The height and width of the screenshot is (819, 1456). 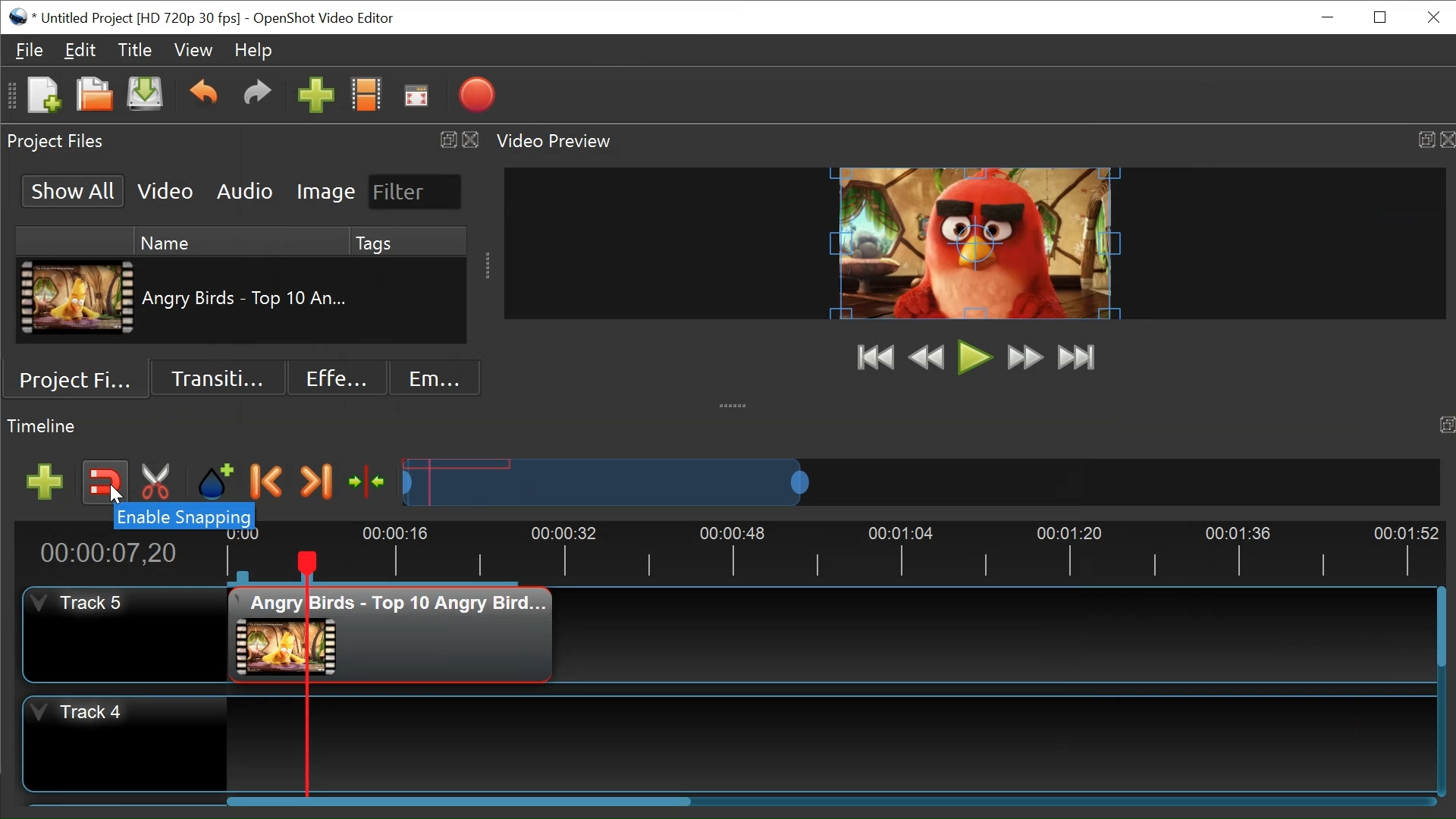 I want to click on Export Video, so click(x=479, y=95).